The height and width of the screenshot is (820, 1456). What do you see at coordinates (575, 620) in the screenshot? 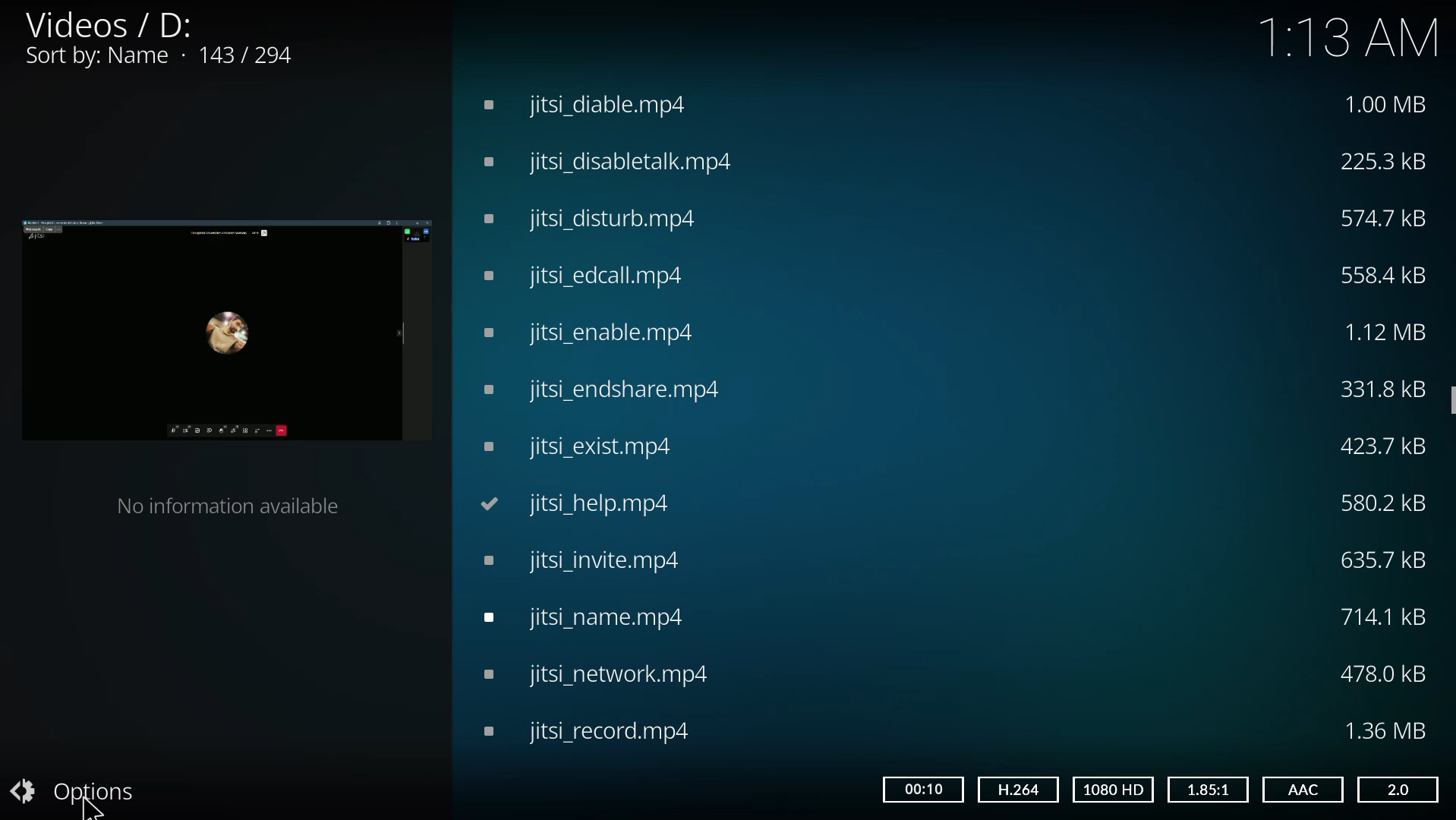
I see `video` at bounding box center [575, 620].